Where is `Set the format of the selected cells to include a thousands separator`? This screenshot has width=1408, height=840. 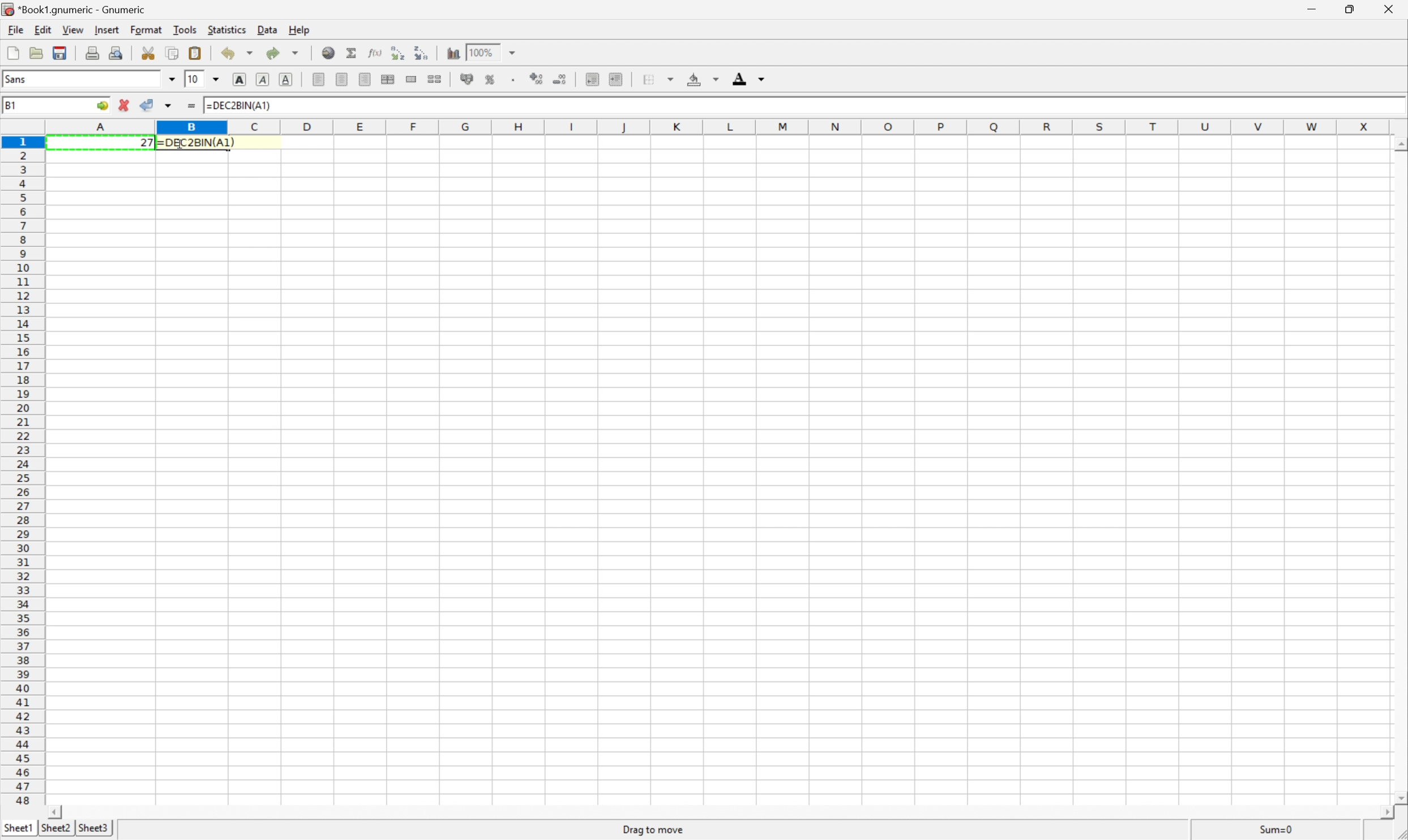 Set the format of the selected cells to include a thousands separator is located at coordinates (514, 79).